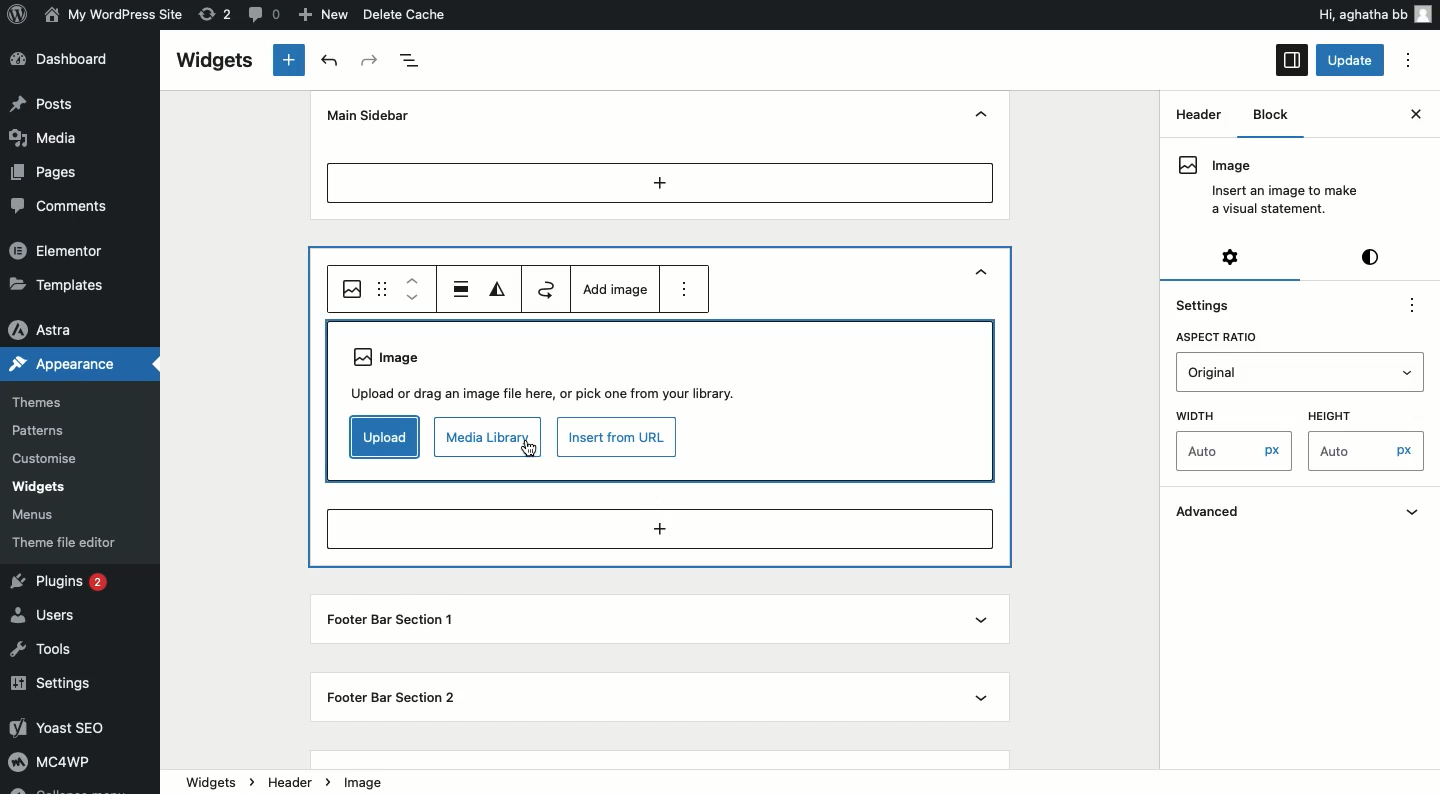  Describe the element at coordinates (1192, 166) in the screenshot. I see `Header` at that location.